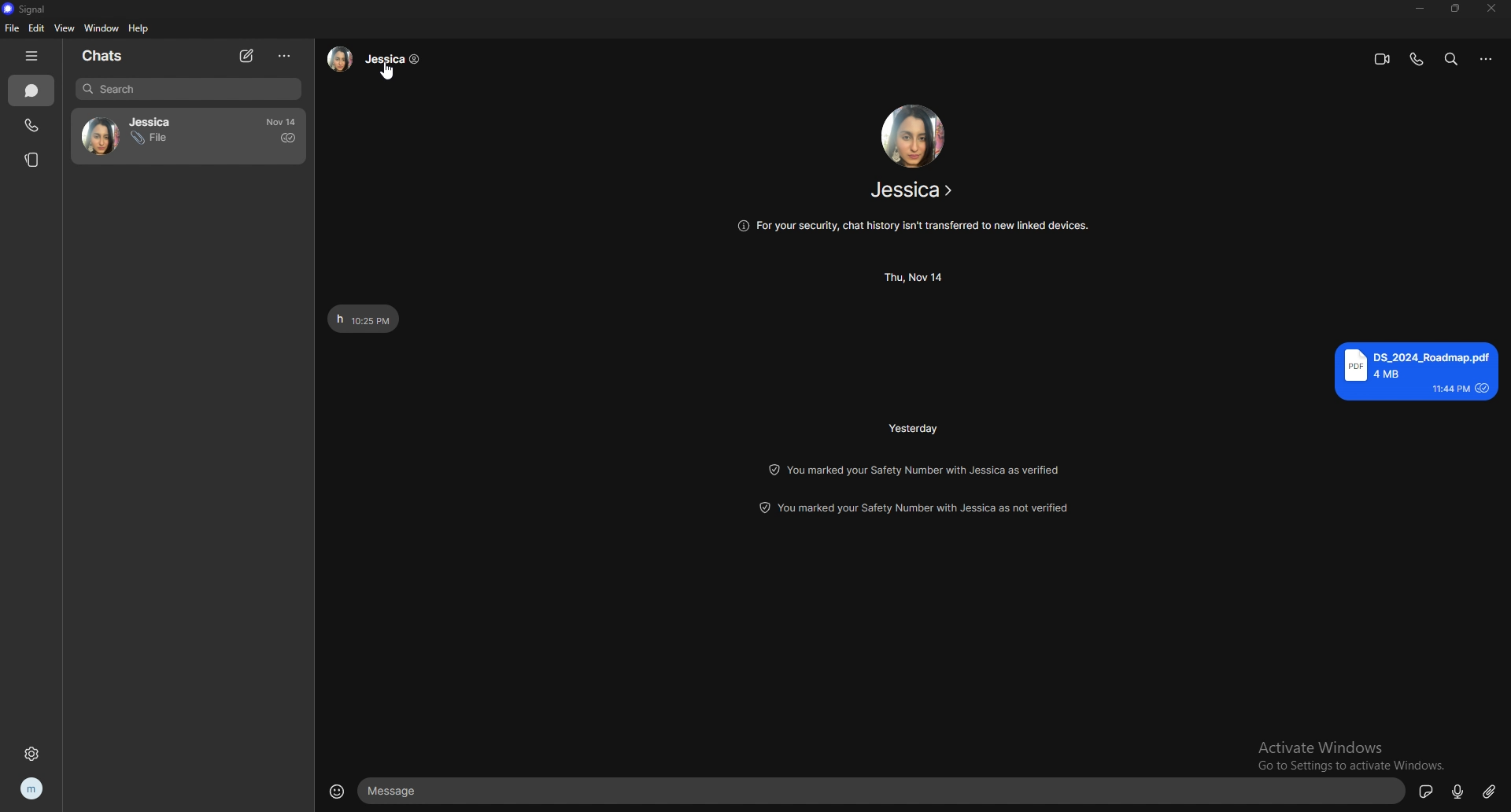 The image size is (1511, 812). I want to click on update, so click(914, 469).